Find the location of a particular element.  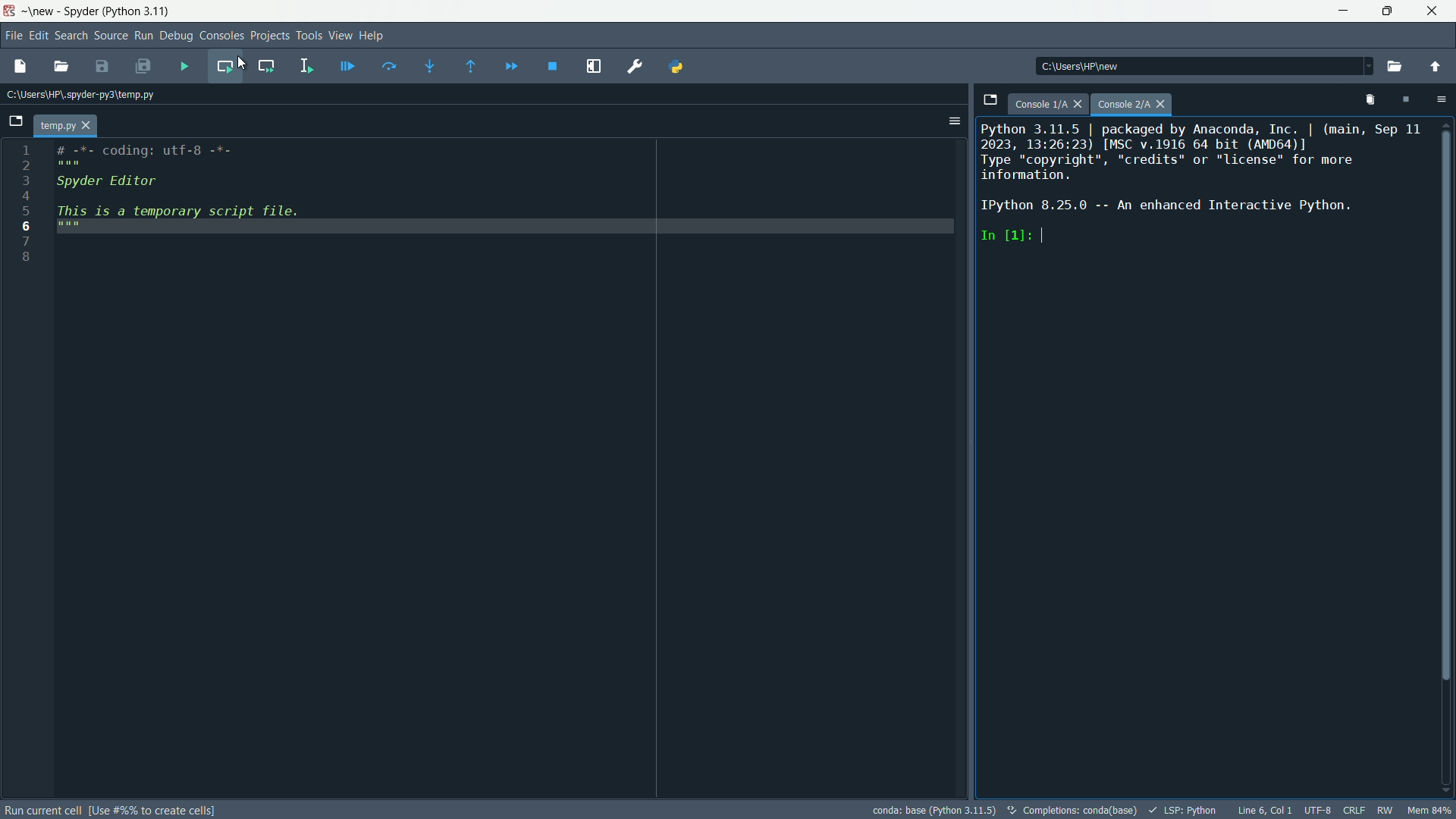

crlf is located at coordinates (1354, 810).